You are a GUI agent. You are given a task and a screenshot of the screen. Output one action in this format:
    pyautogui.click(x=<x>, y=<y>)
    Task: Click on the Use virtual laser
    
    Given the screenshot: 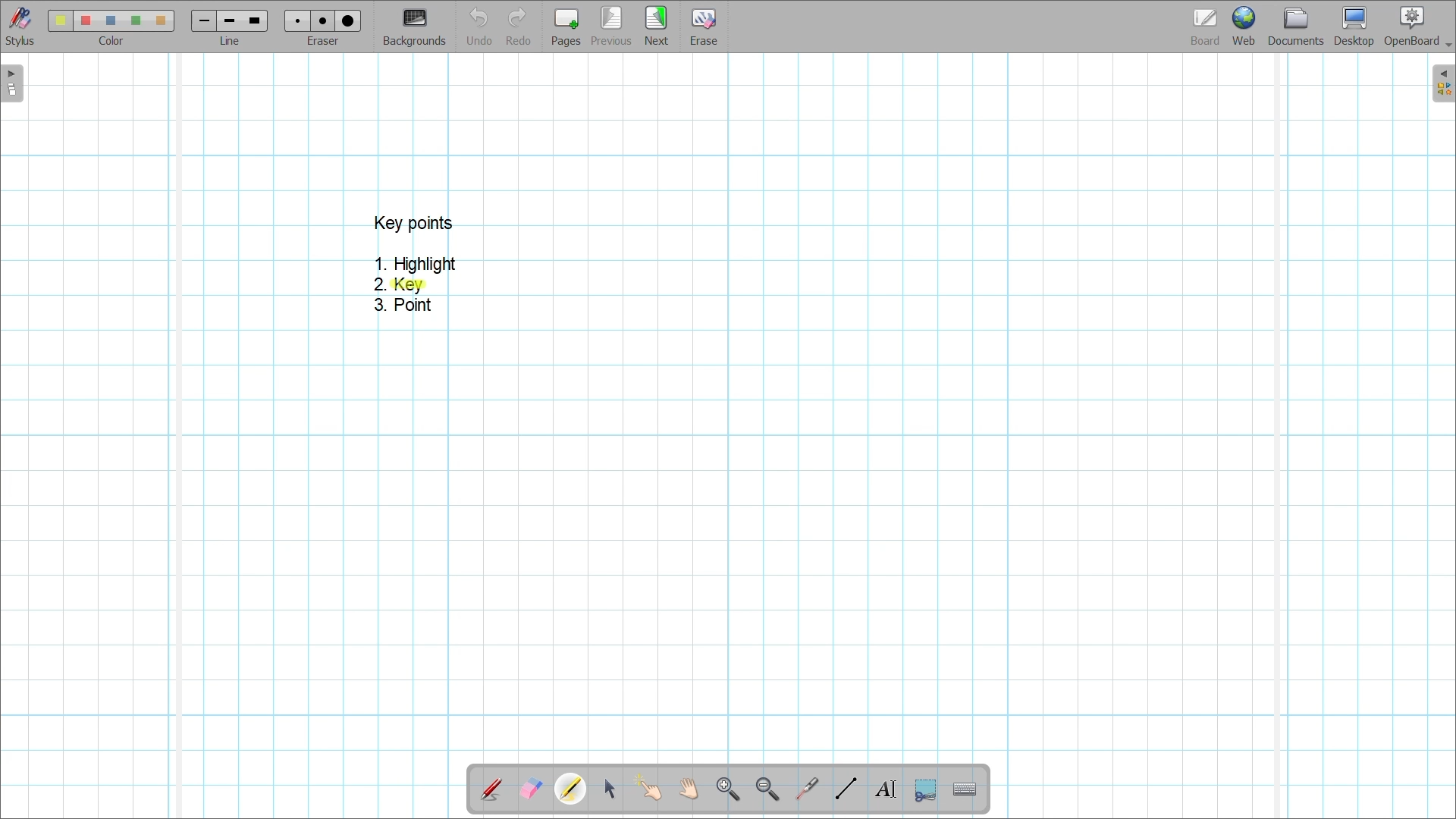 What is the action you would take?
    pyautogui.click(x=806, y=789)
    